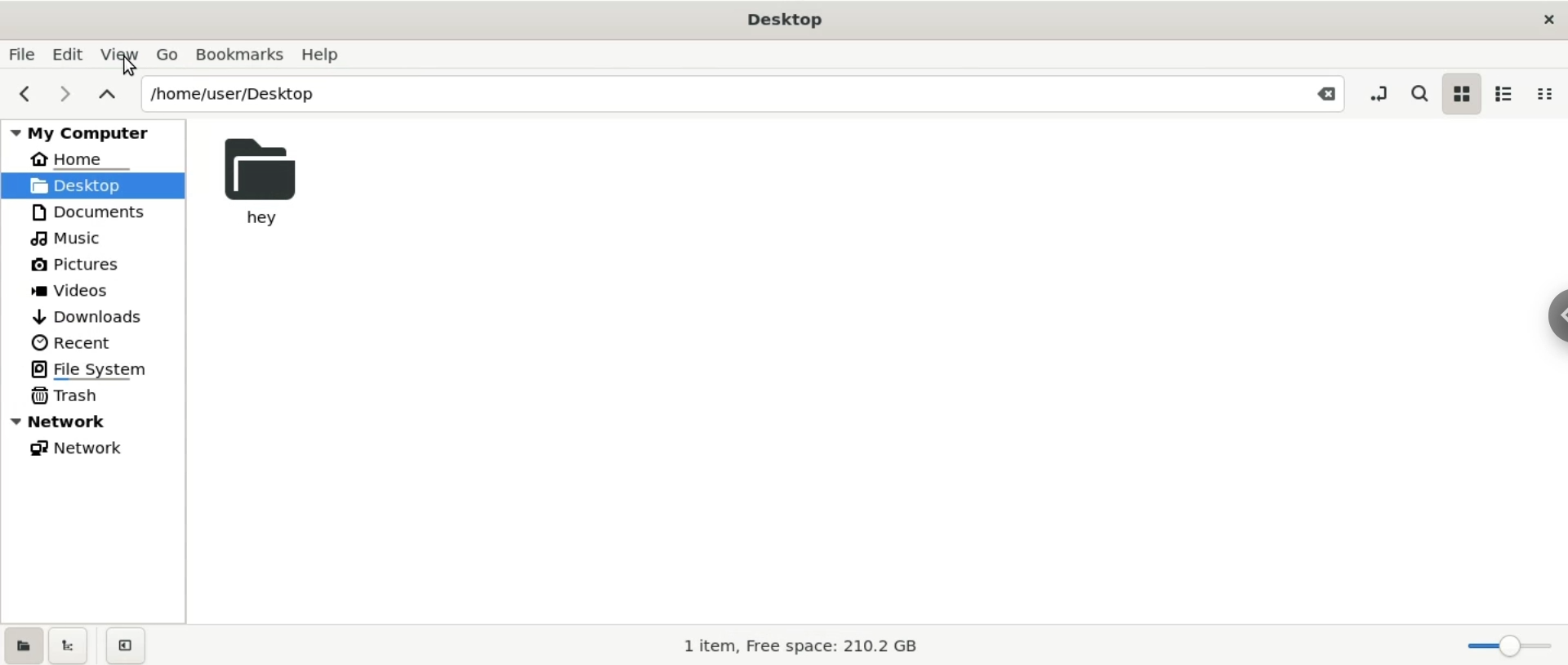  Describe the element at coordinates (79, 263) in the screenshot. I see `Pictures` at that location.